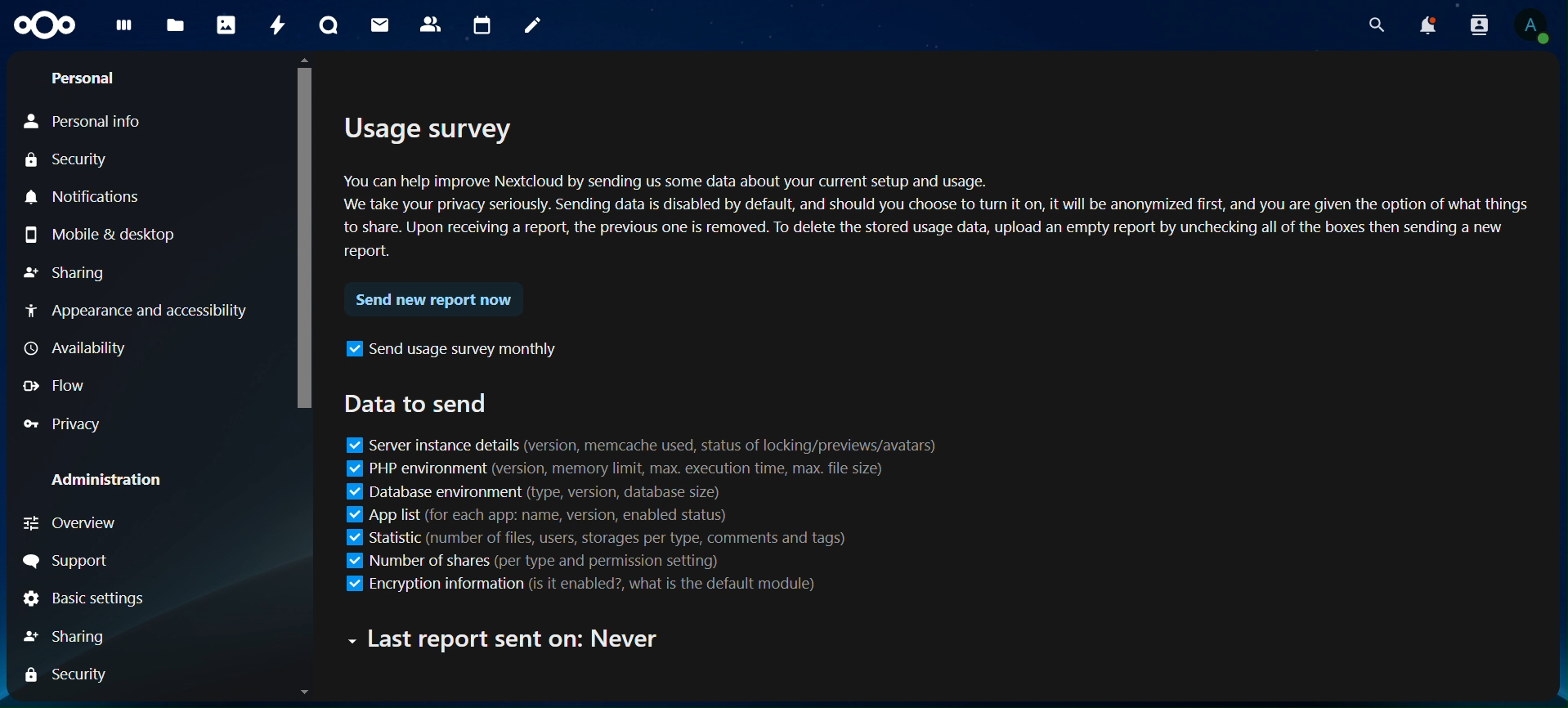 This screenshot has width=1568, height=708. I want to click on View Profile, so click(1533, 26).